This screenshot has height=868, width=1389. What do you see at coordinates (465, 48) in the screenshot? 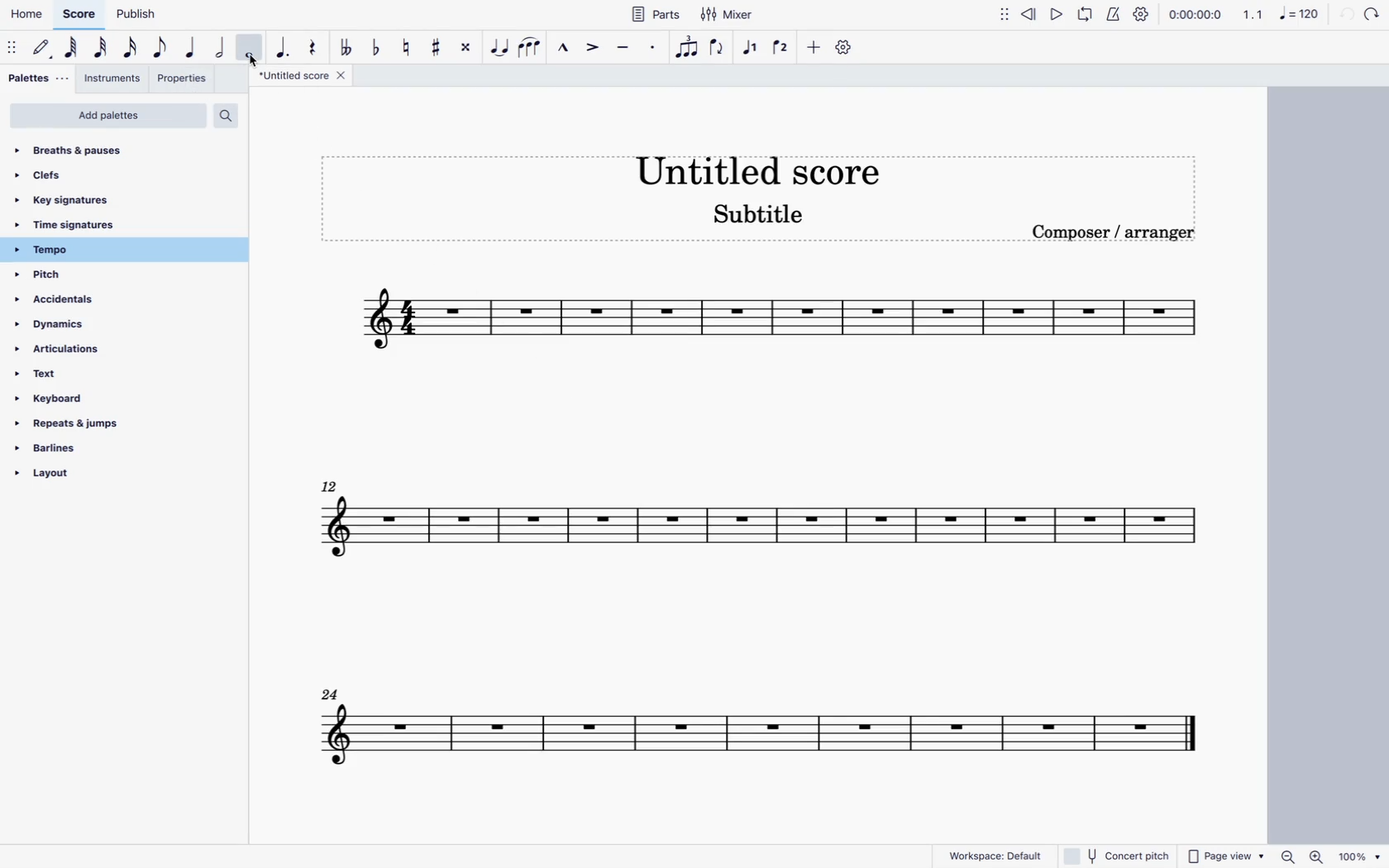
I see `toggle double sharp` at bounding box center [465, 48].